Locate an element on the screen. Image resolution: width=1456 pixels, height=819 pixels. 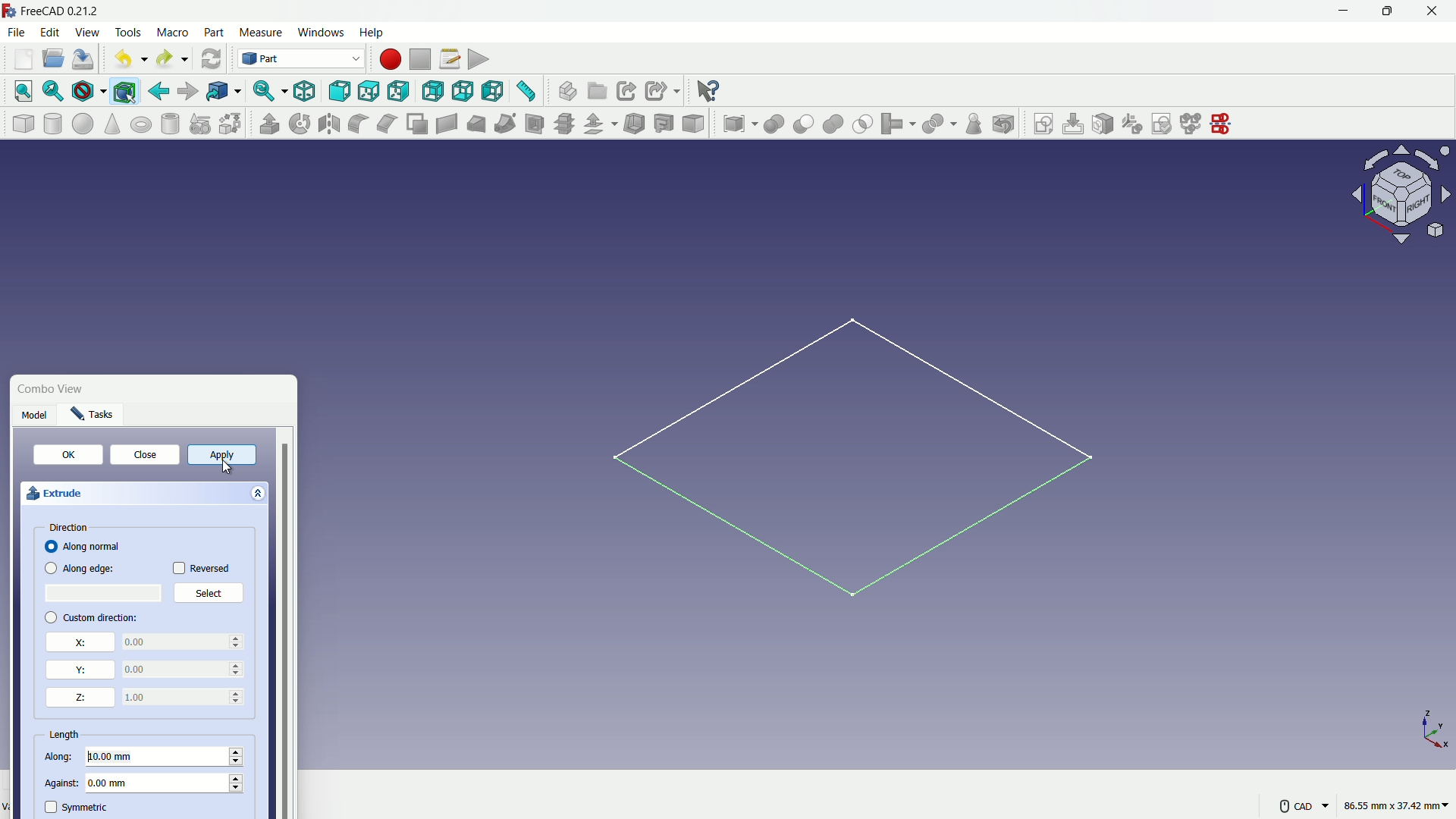
rotate direction is located at coordinates (1405, 193).